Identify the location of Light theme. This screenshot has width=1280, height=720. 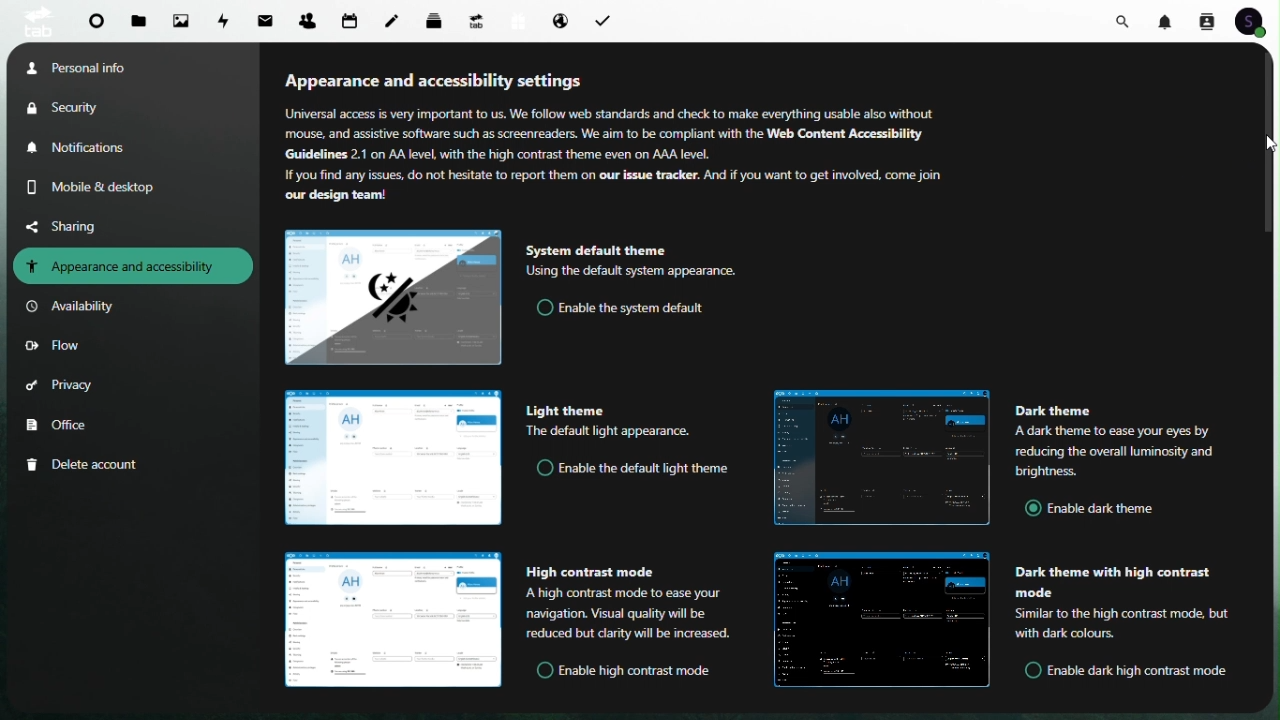
(391, 457).